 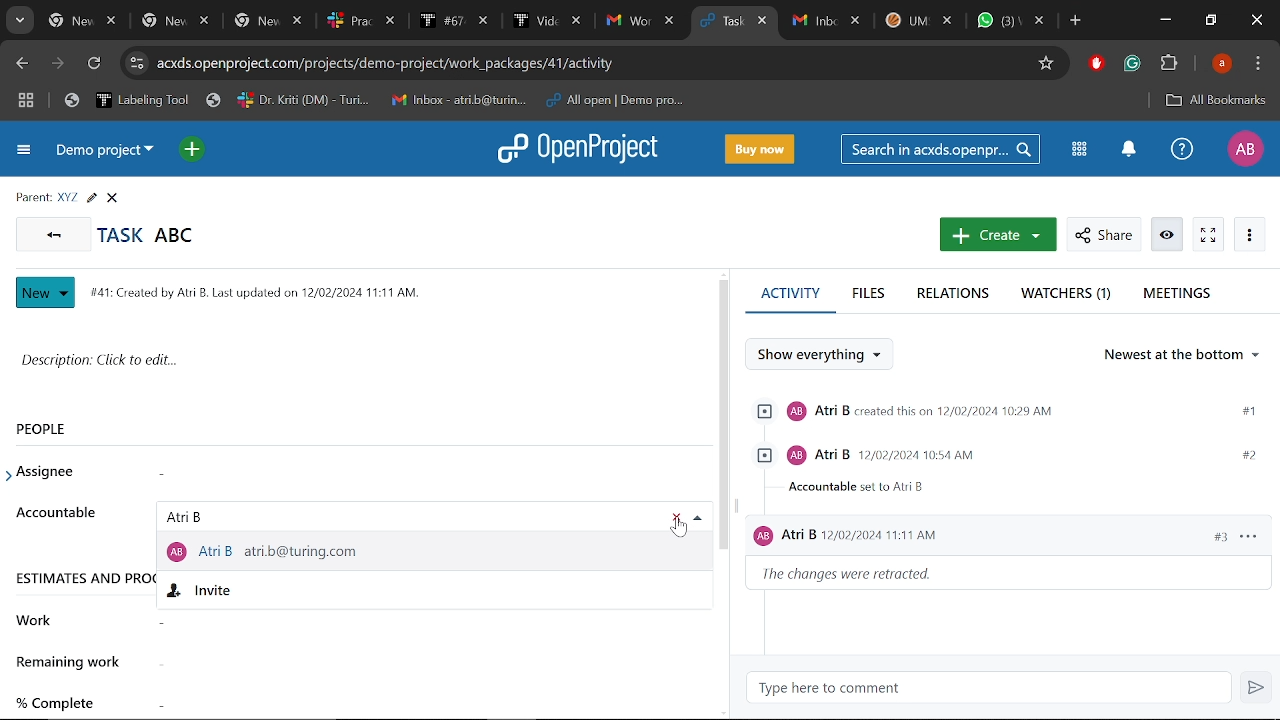 What do you see at coordinates (943, 149) in the screenshot?
I see `Search in acxds.openproject` at bounding box center [943, 149].